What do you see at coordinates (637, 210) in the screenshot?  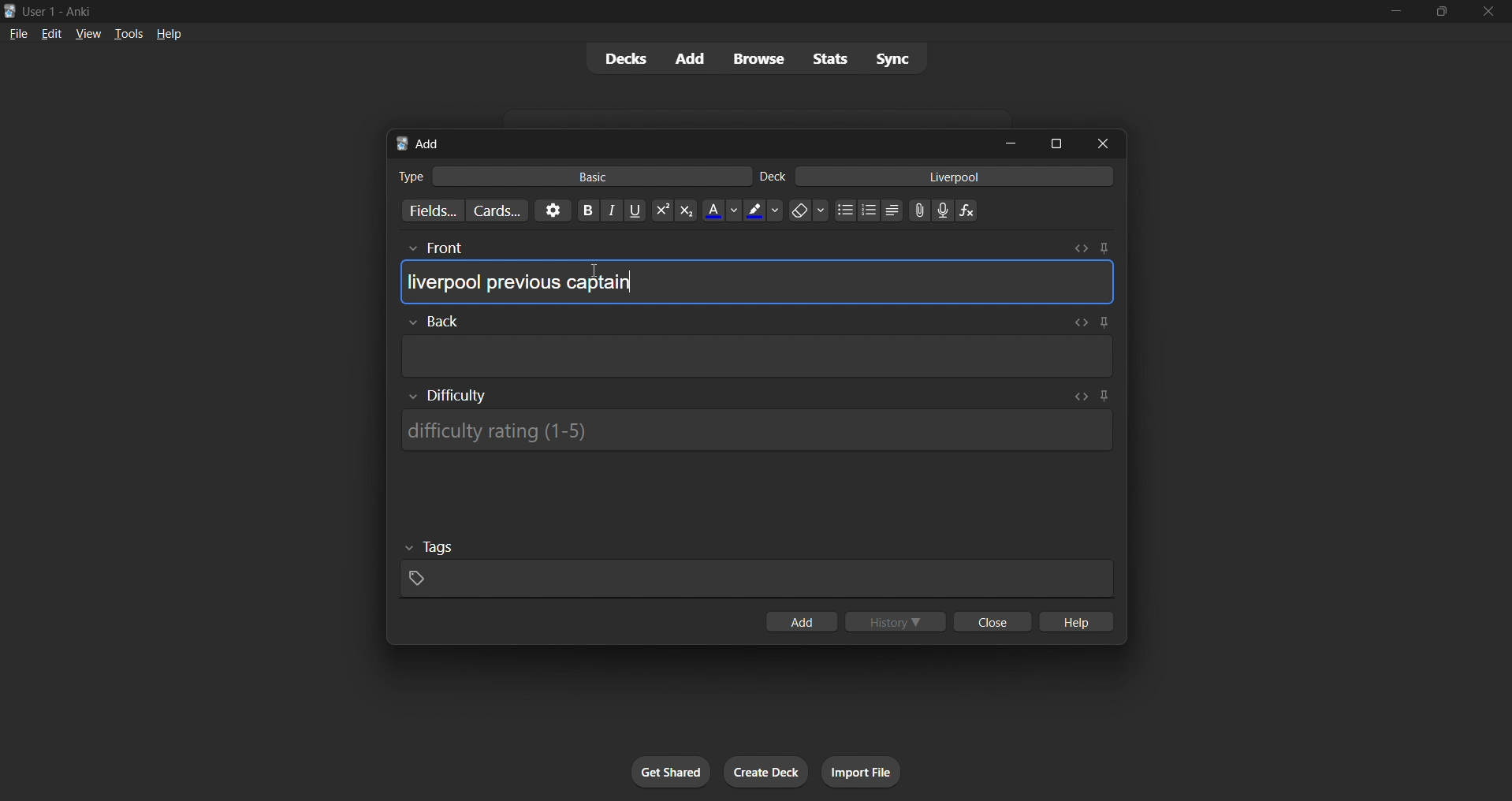 I see `underline` at bounding box center [637, 210].